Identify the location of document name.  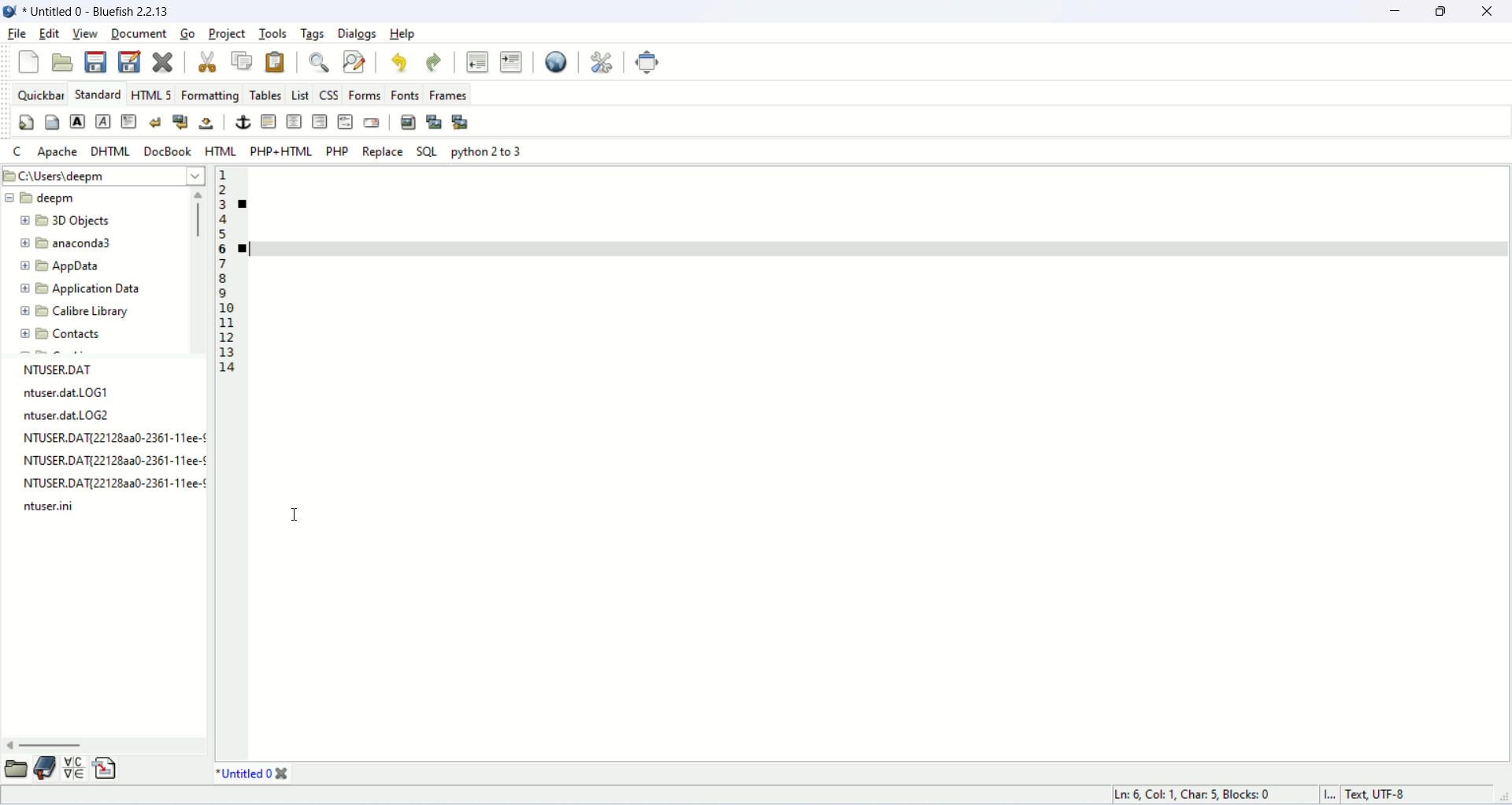
(115, 10).